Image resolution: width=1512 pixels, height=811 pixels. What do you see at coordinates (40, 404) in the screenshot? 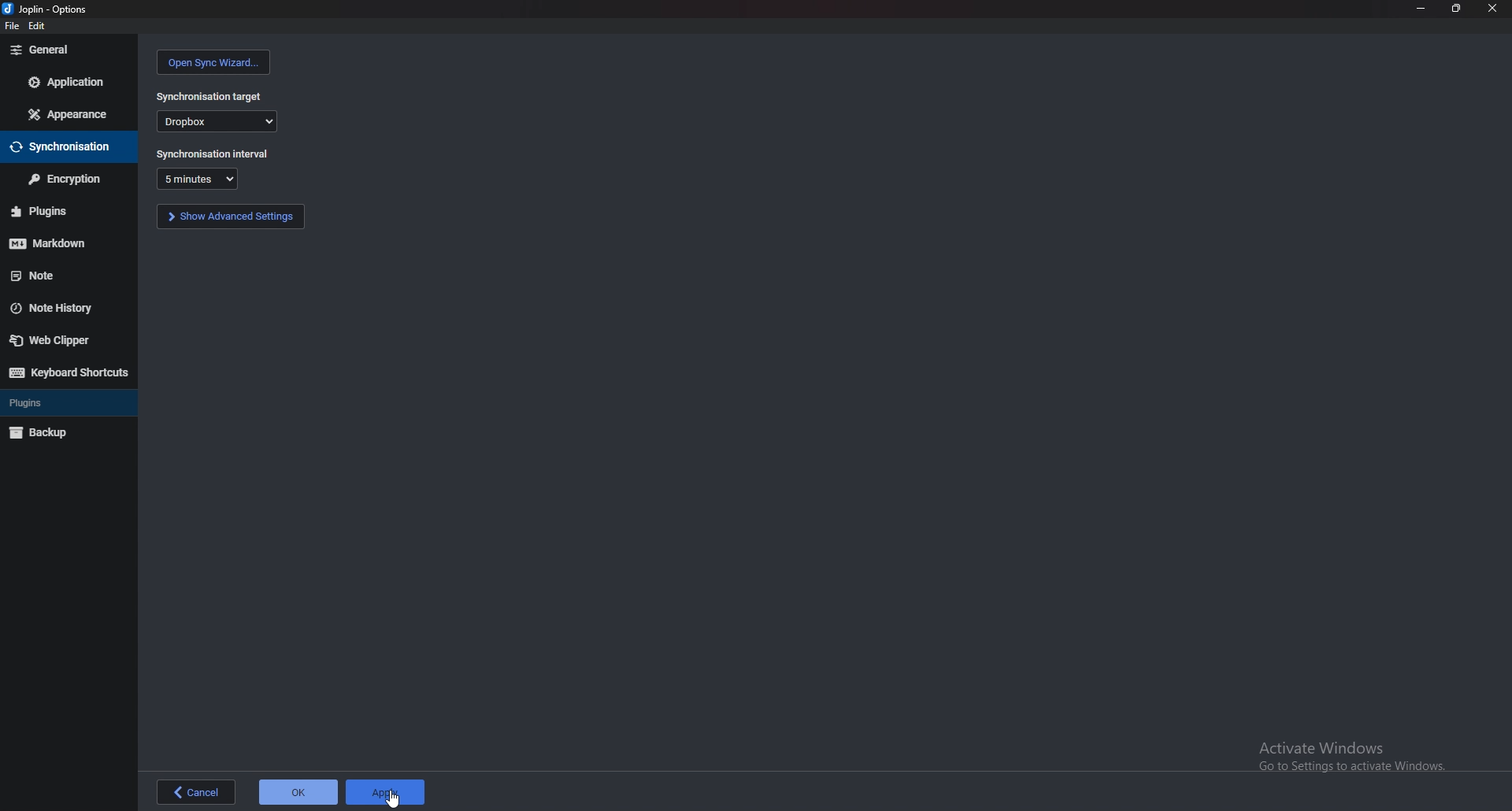
I see `plugins` at bounding box center [40, 404].